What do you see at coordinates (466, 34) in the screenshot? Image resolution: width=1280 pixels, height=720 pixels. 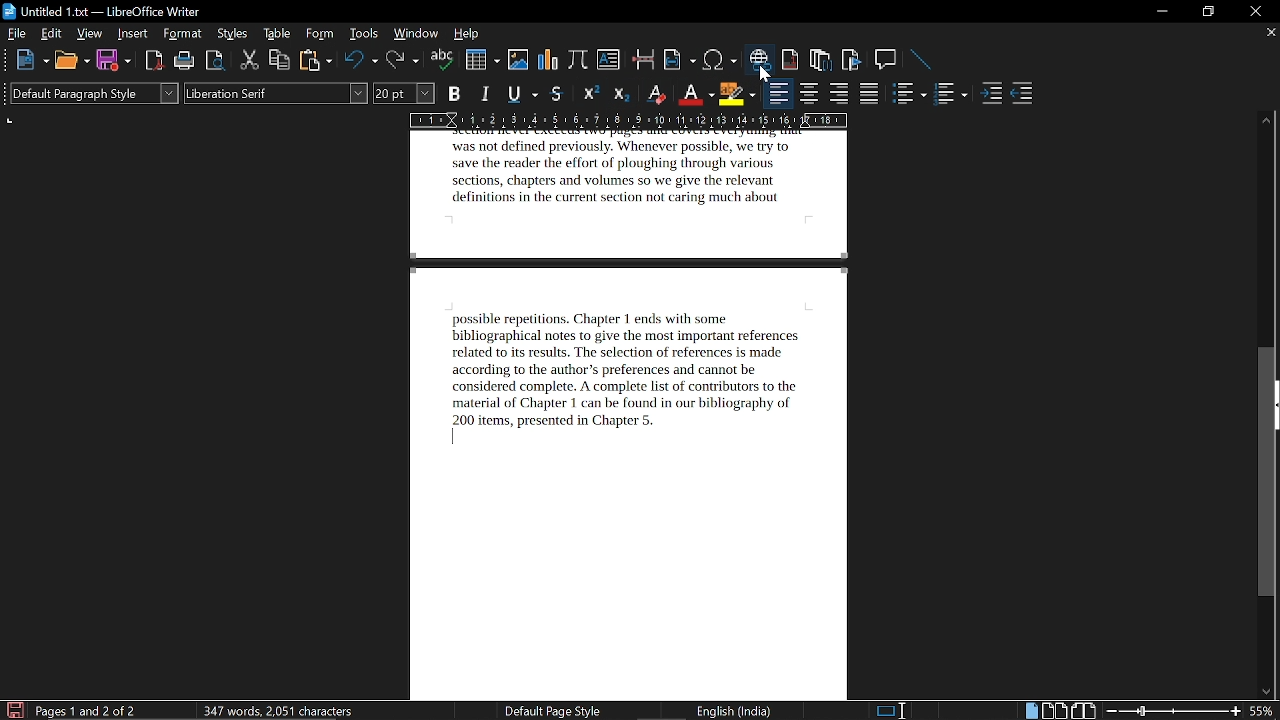 I see `help` at bounding box center [466, 34].